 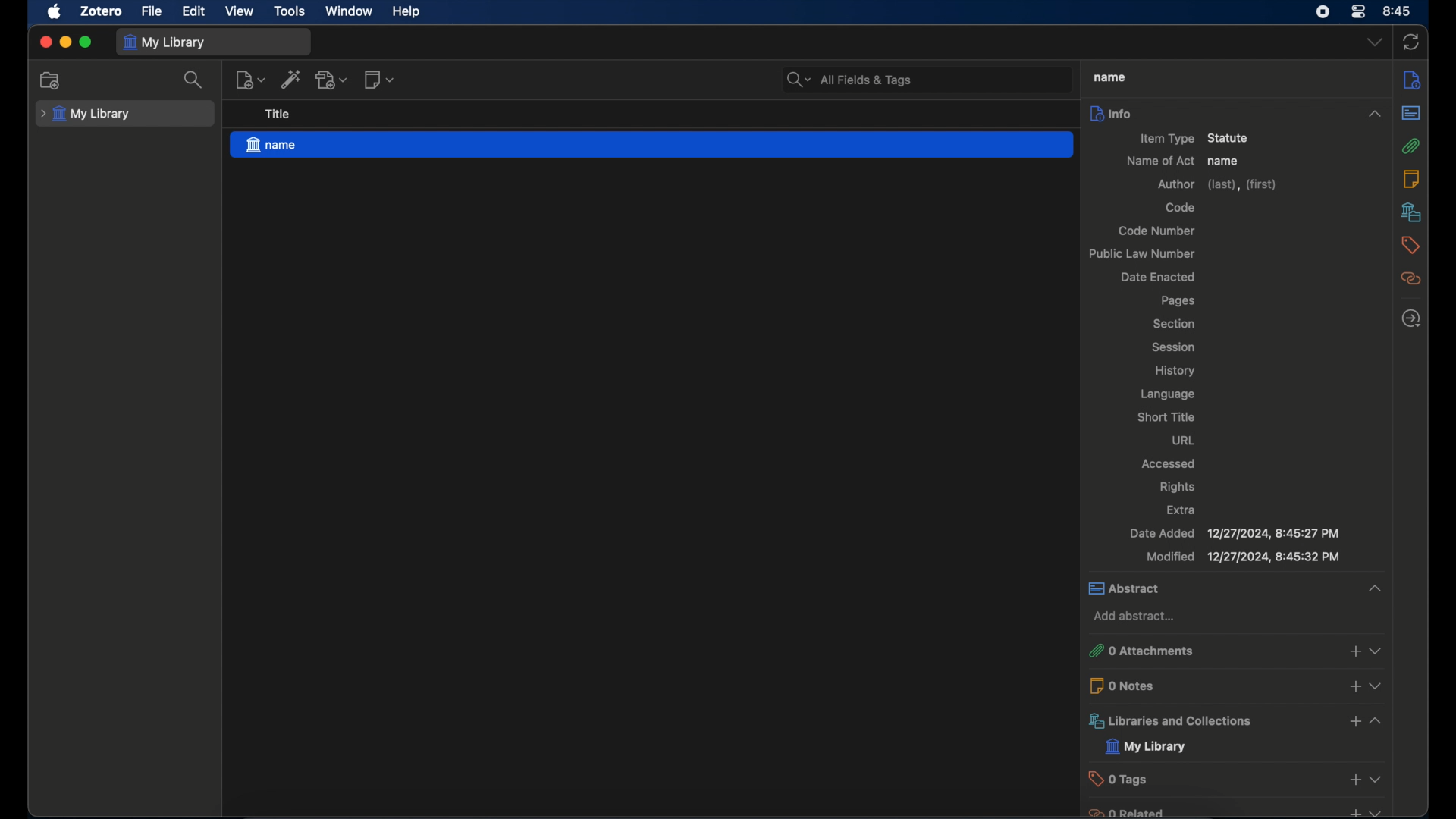 What do you see at coordinates (290, 11) in the screenshot?
I see `tools` at bounding box center [290, 11].